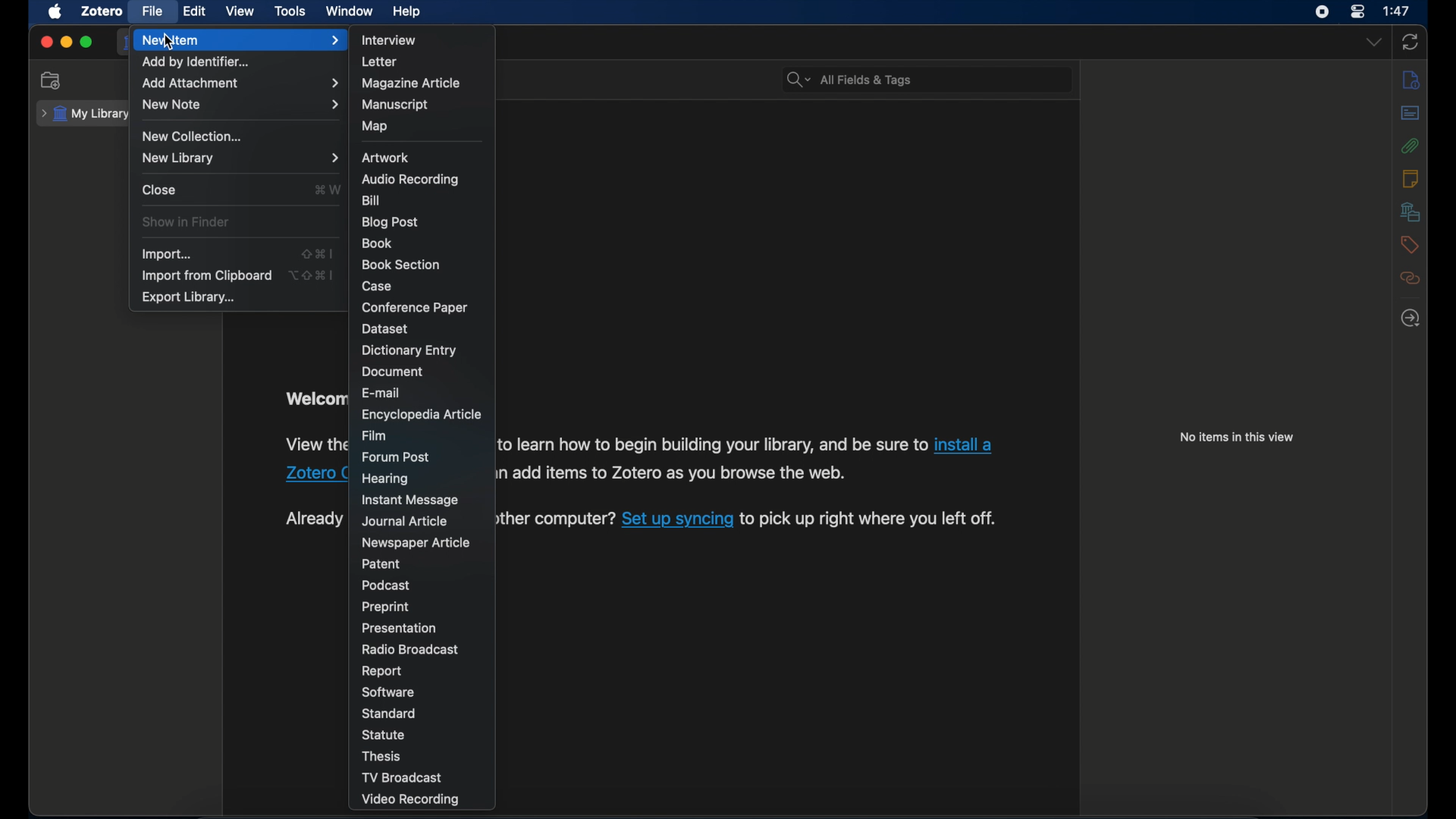 The width and height of the screenshot is (1456, 819). I want to click on tags, so click(1410, 244).